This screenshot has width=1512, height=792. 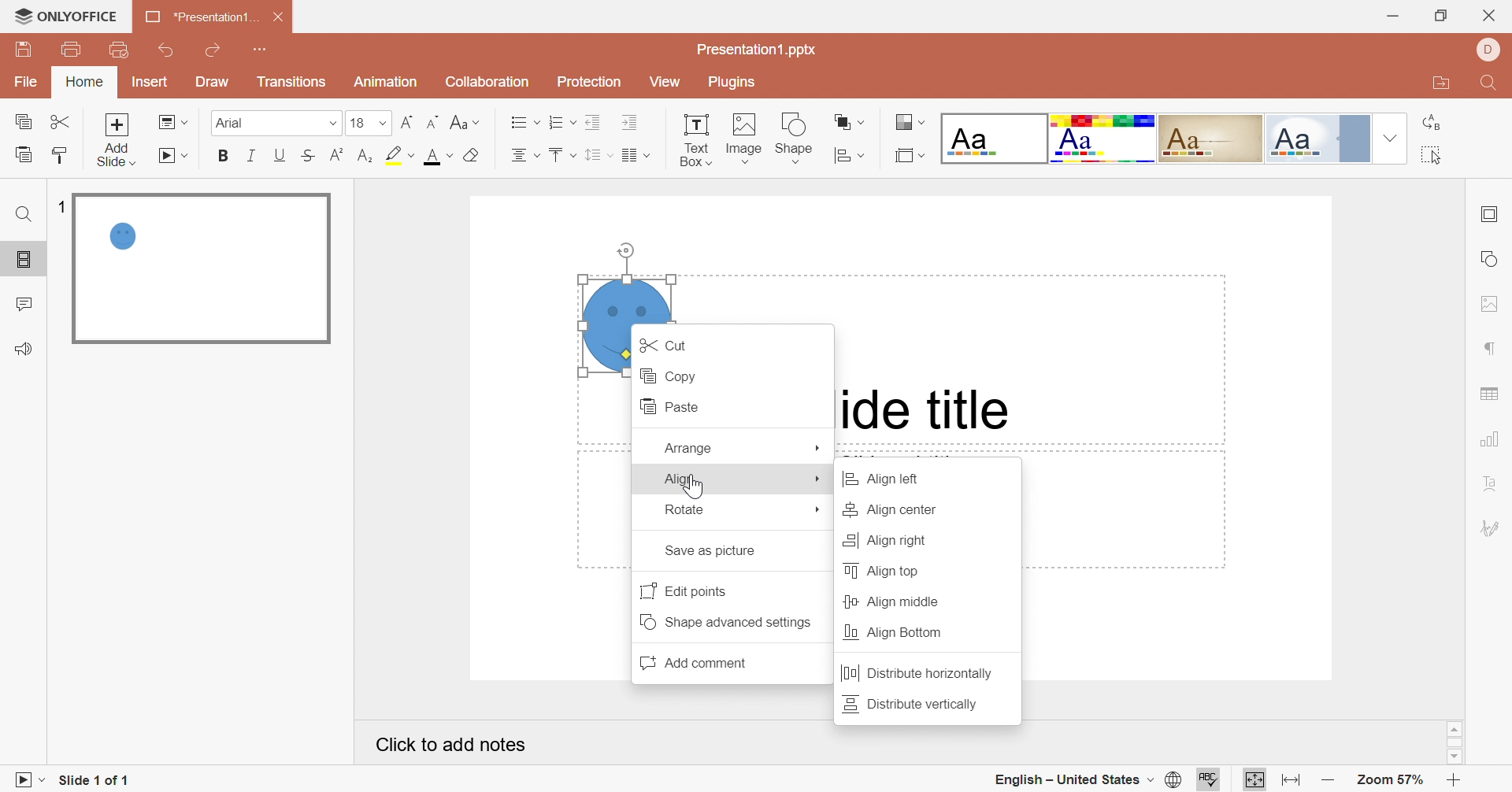 I want to click on Presentation1.pptx, so click(x=759, y=50).